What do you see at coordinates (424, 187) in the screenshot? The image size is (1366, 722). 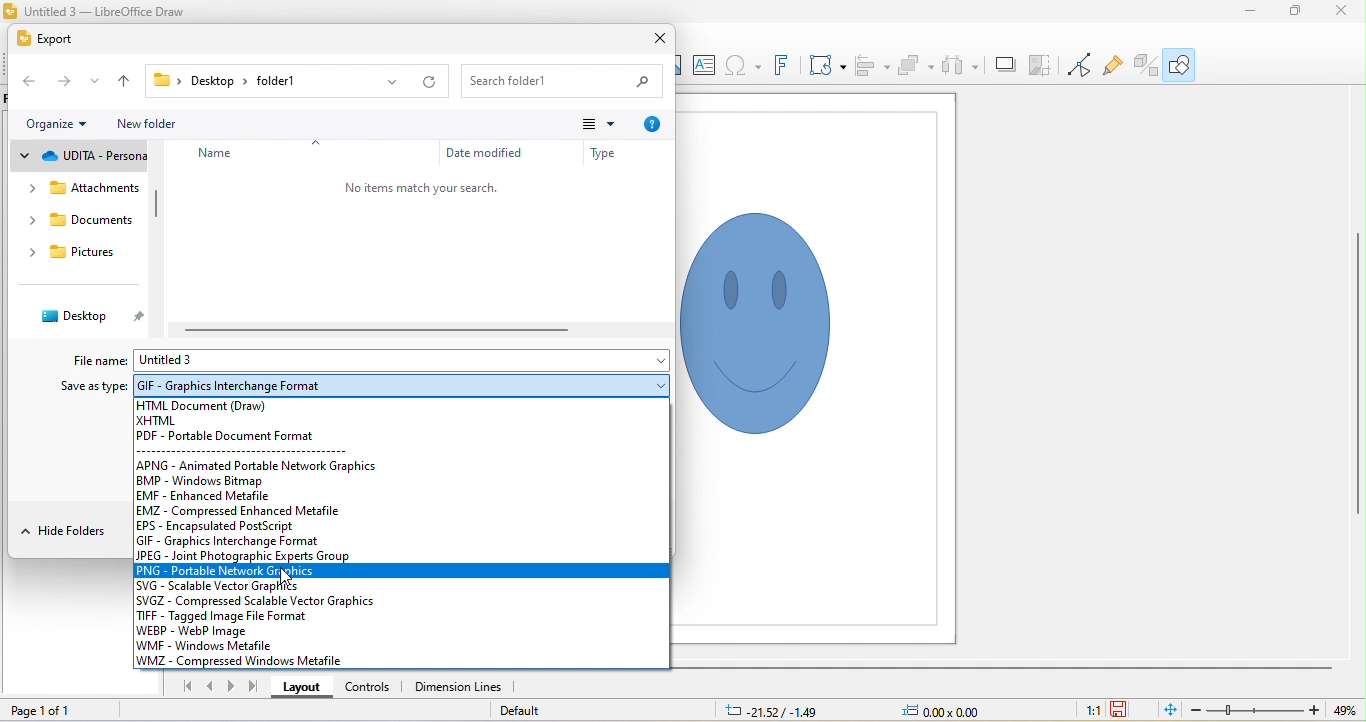 I see `no items match your search` at bounding box center [424, 187].